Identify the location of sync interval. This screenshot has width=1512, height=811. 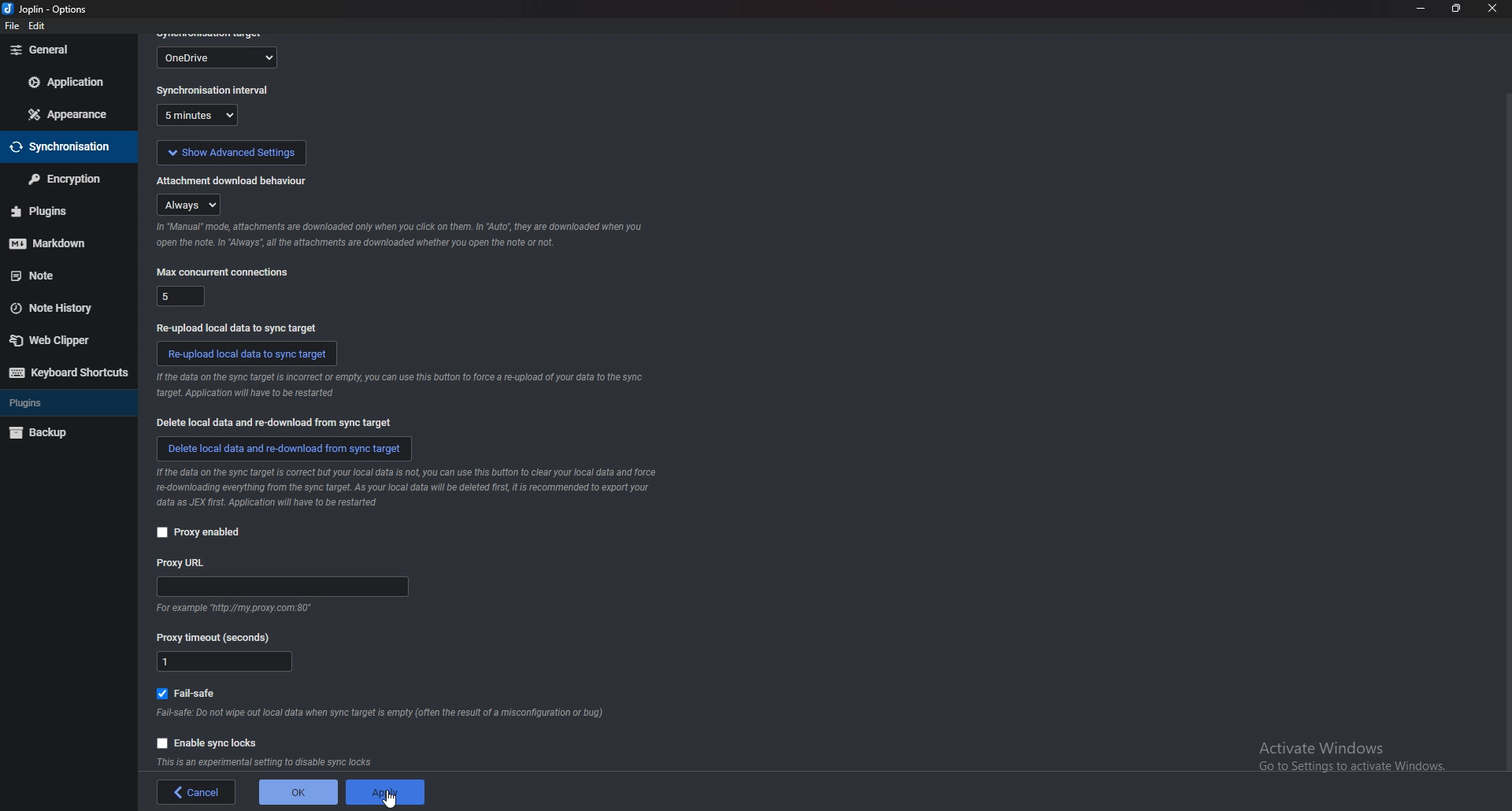
(214, 91).